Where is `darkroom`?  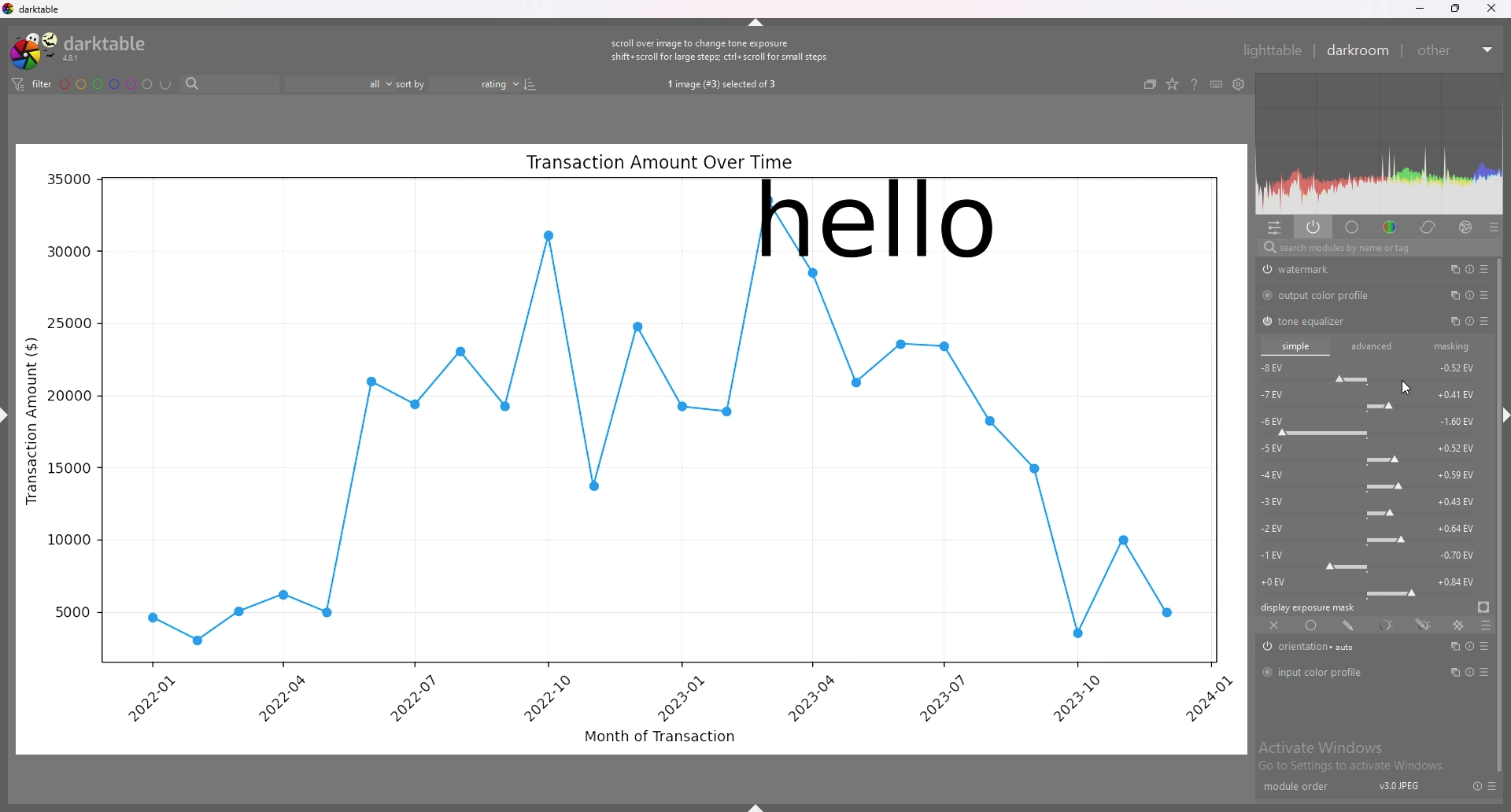 darkroom is located at coordinates (1359, 51).